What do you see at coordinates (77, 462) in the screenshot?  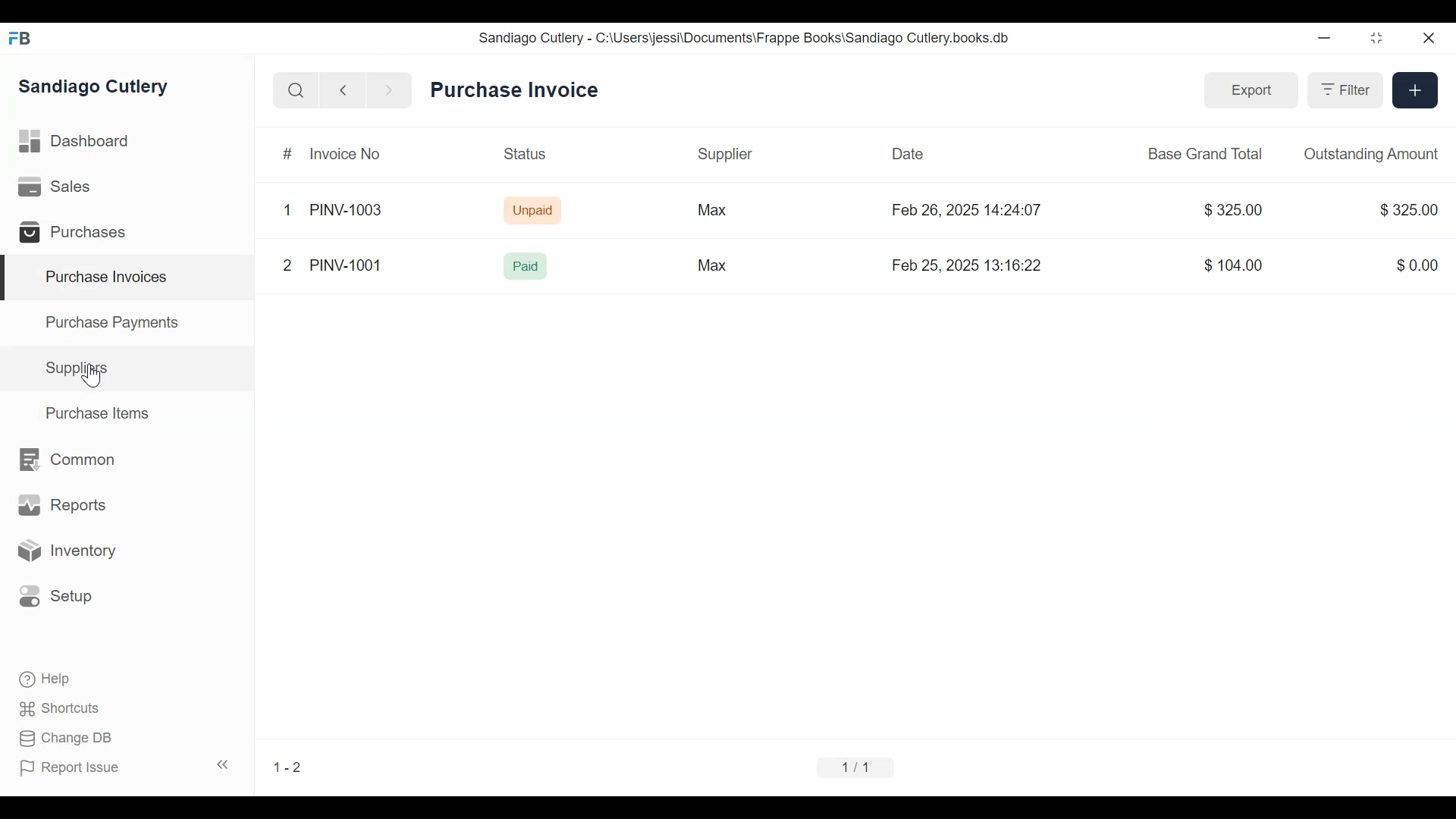 I see `Common` at bounding box center [77, 462].